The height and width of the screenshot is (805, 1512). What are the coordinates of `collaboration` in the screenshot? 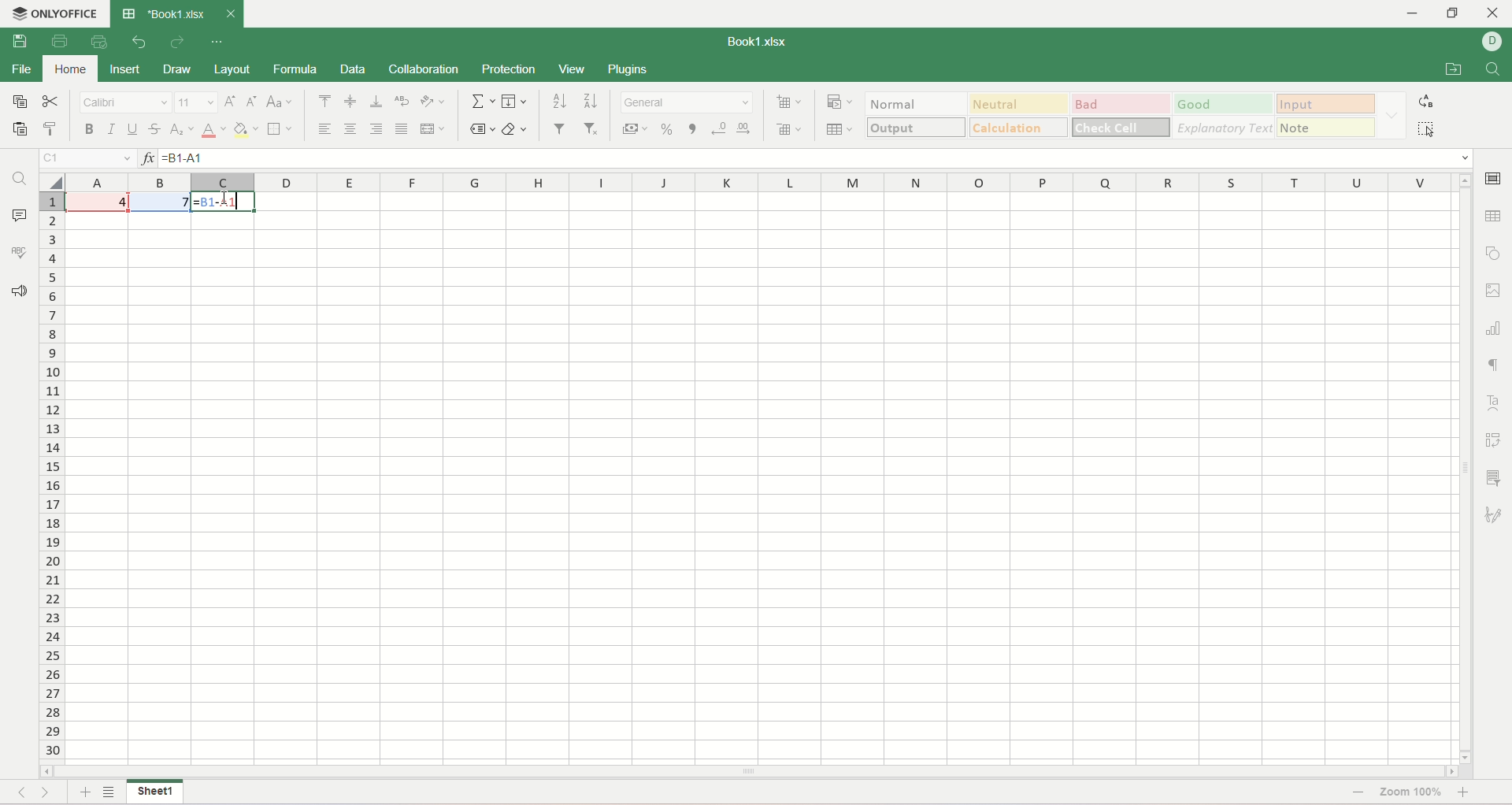 It's located at (425, 69).